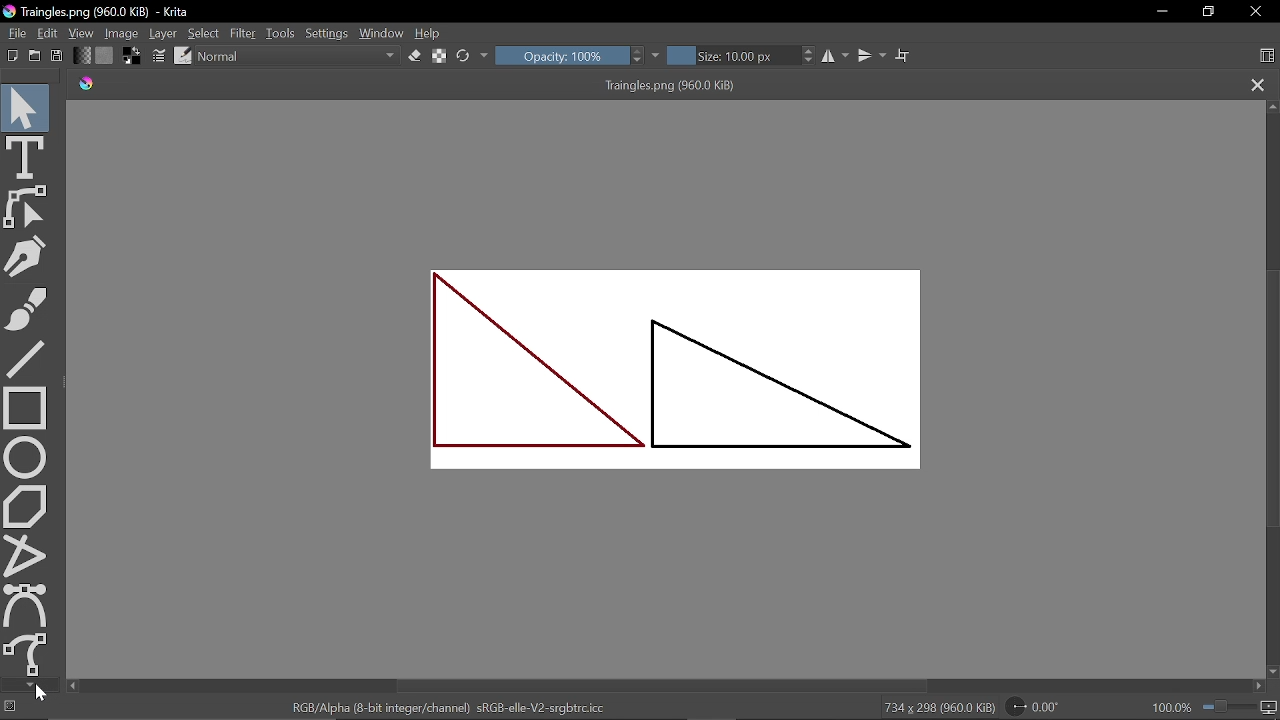 This screenshot has height=720, width=1280. I want to click on Image, so click(123, 32).